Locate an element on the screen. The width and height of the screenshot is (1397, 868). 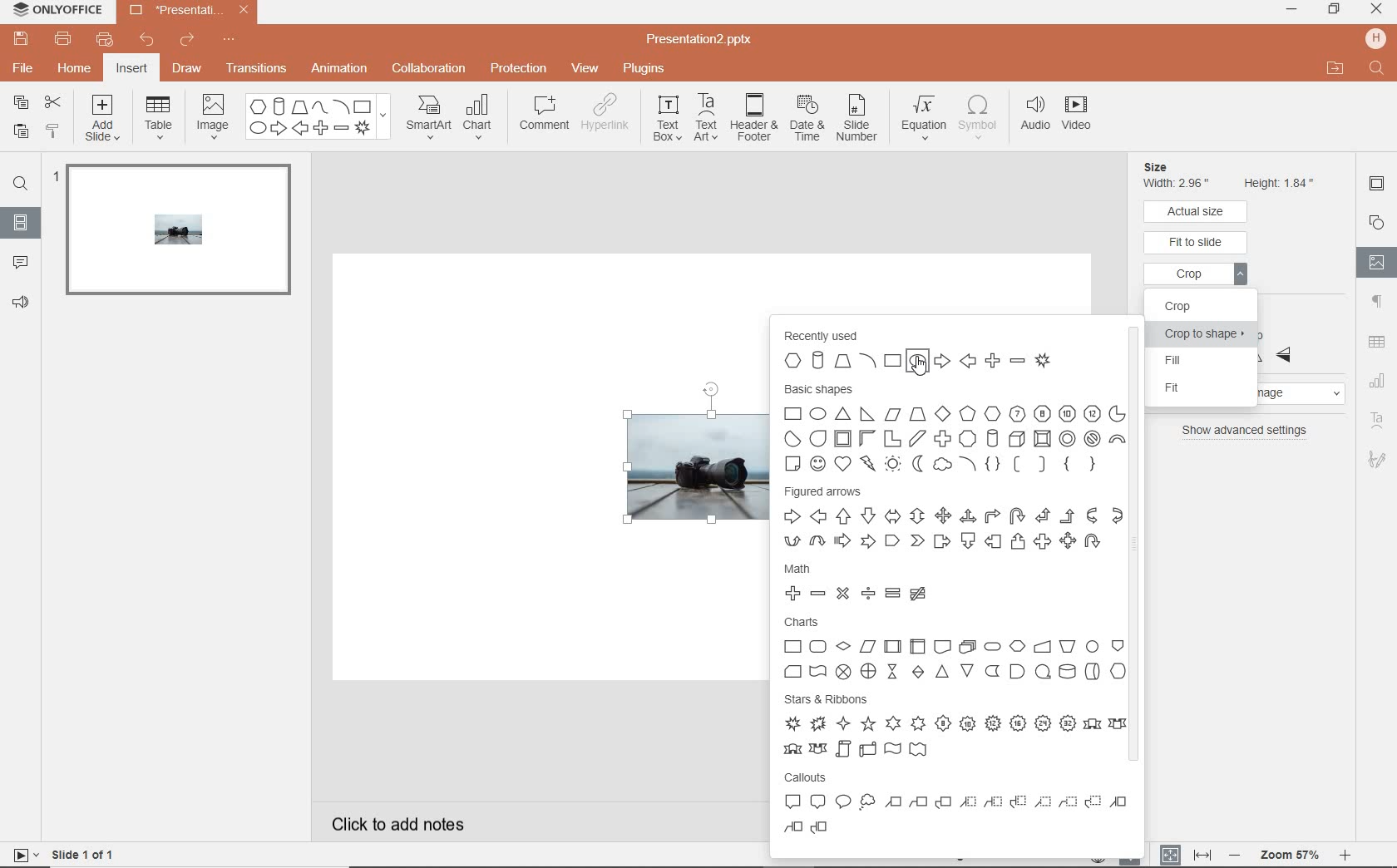
image is located at coordinates (212, 116).